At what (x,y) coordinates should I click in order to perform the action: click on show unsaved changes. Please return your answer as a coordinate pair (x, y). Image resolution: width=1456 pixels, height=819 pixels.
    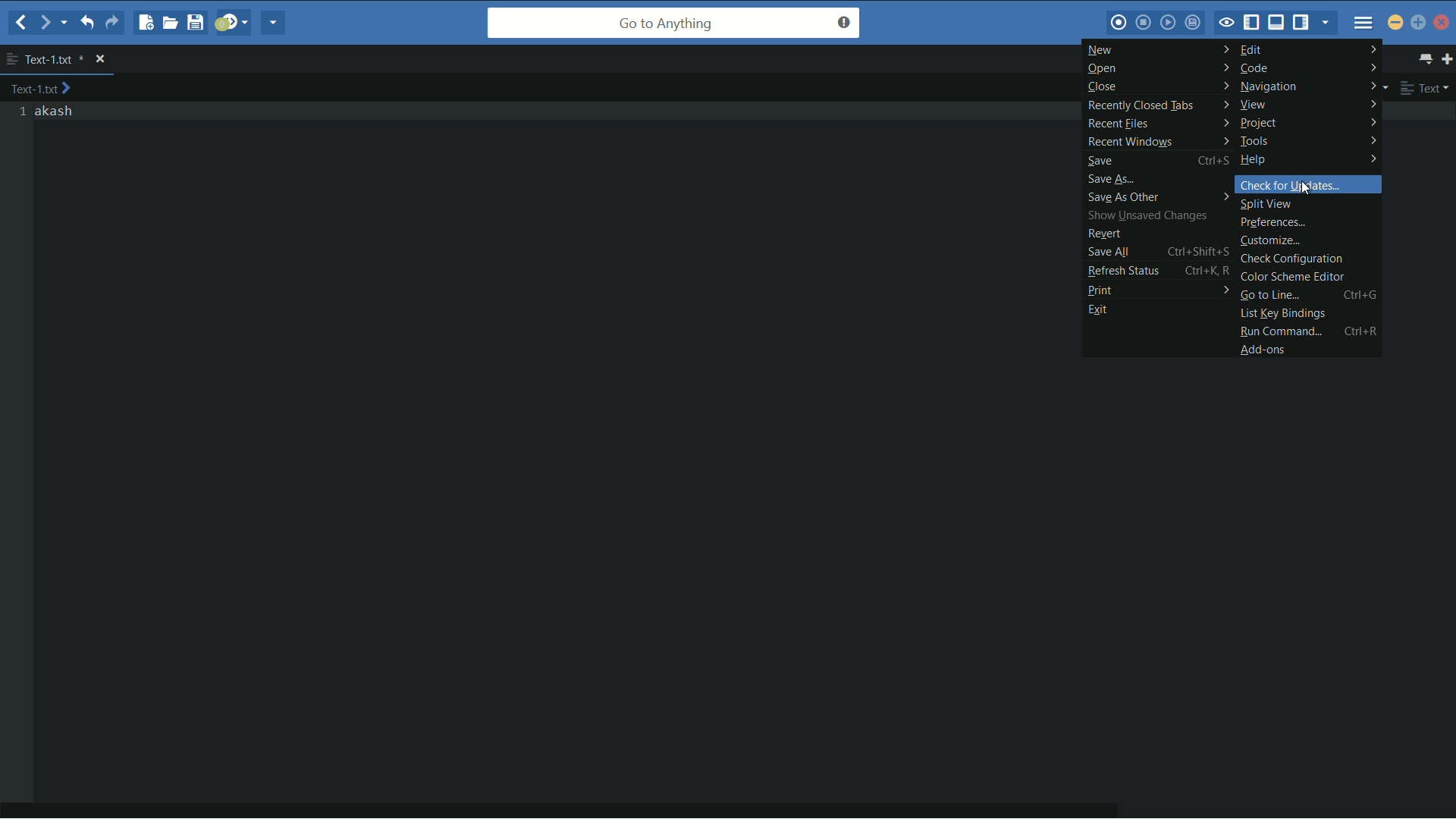
    Looking at the image, I should click on (1154, 215).